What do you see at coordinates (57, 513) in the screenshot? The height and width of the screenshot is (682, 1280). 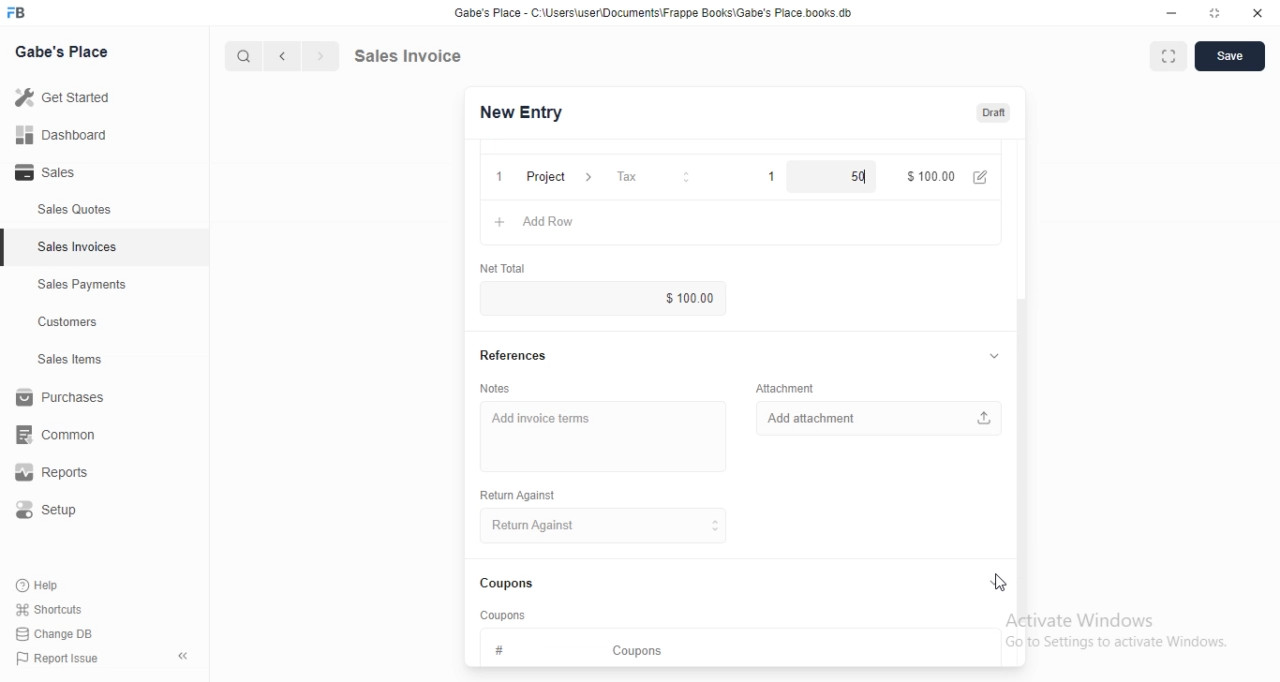 I see `Setup` at bounding box center [57, 513].